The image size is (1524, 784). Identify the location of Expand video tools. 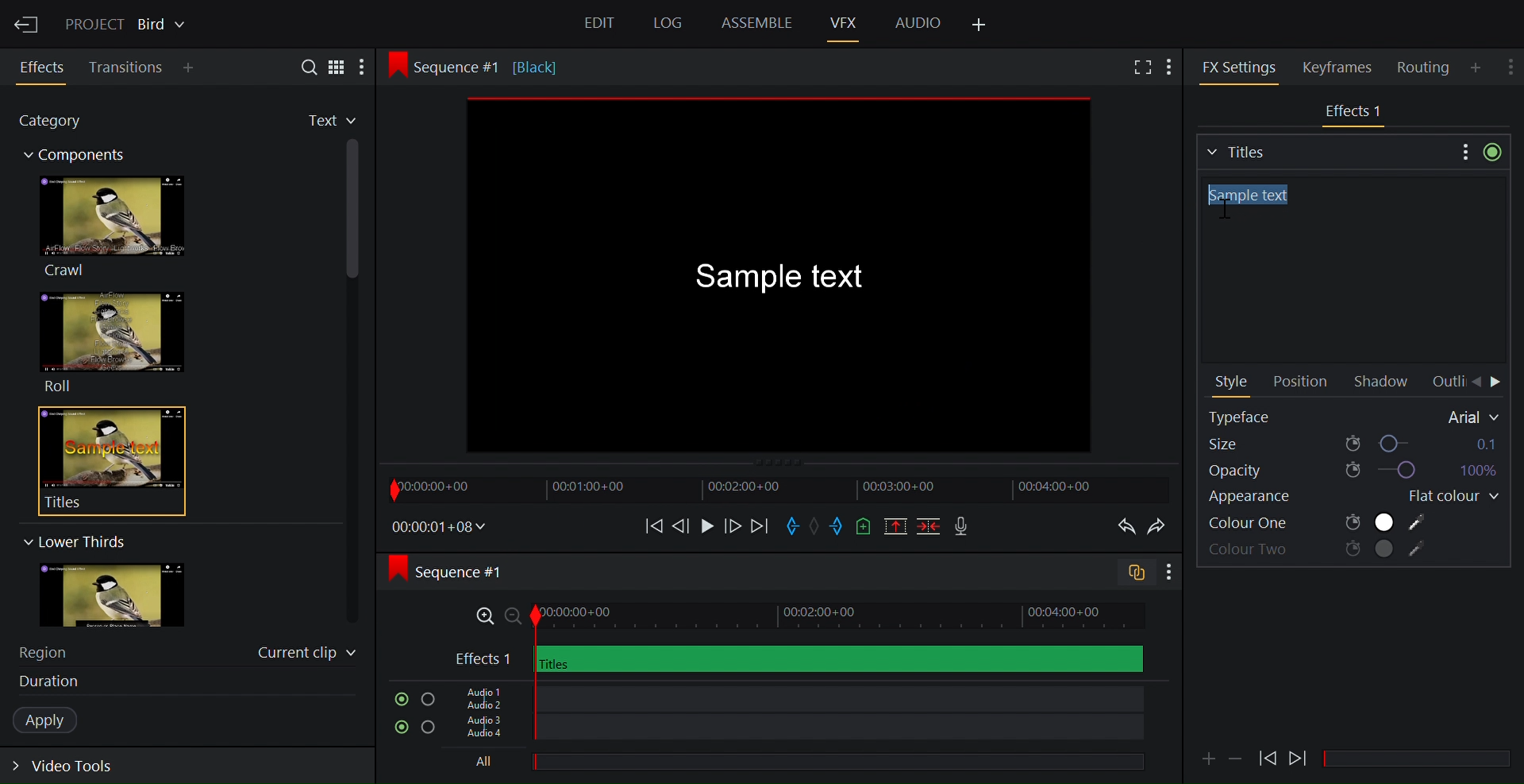
(73, 769).